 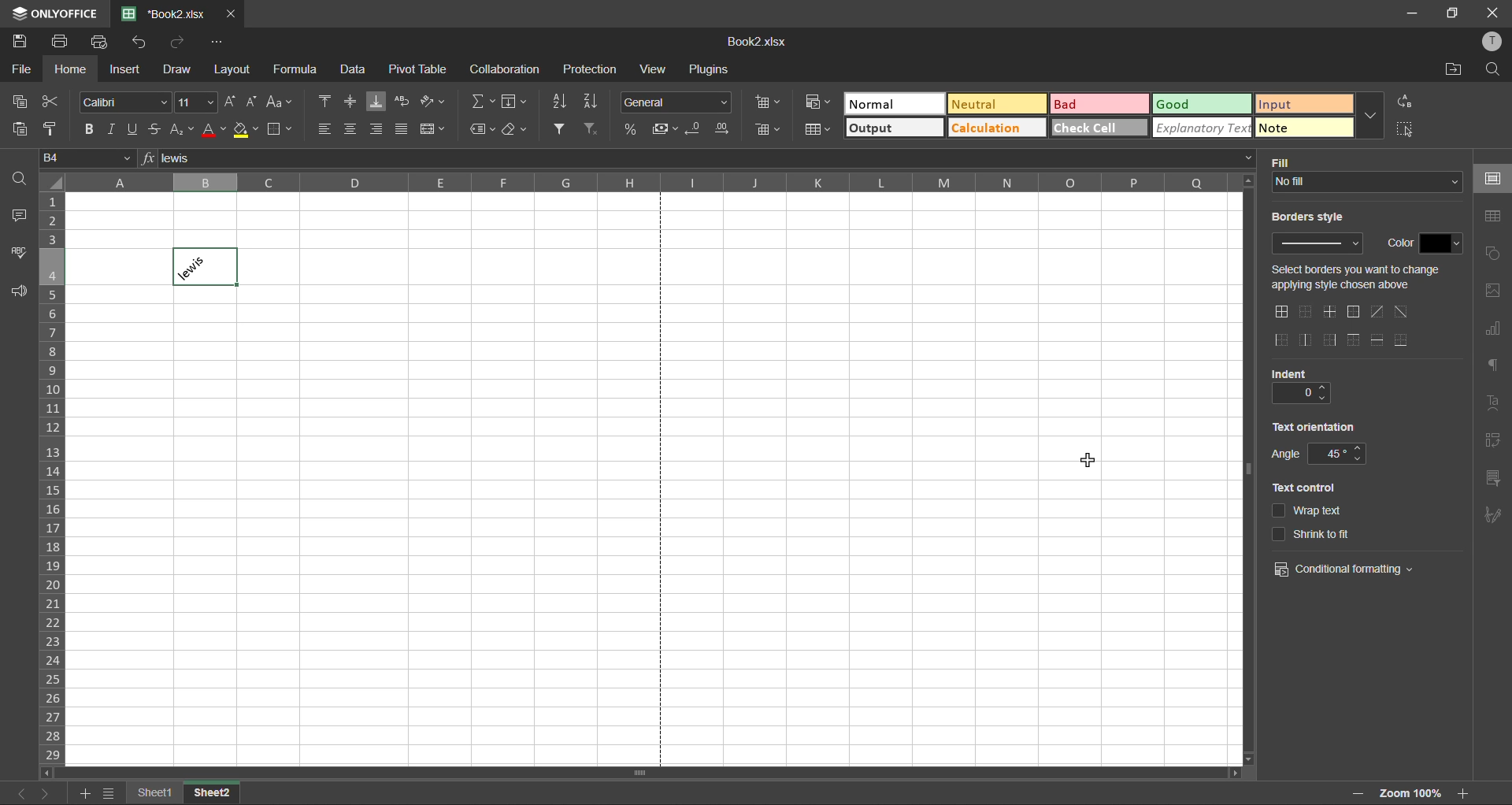 What do you see at coordinates (1230, 774) in the screenshot?
I see `move right` at bounding box center [1230, 774].